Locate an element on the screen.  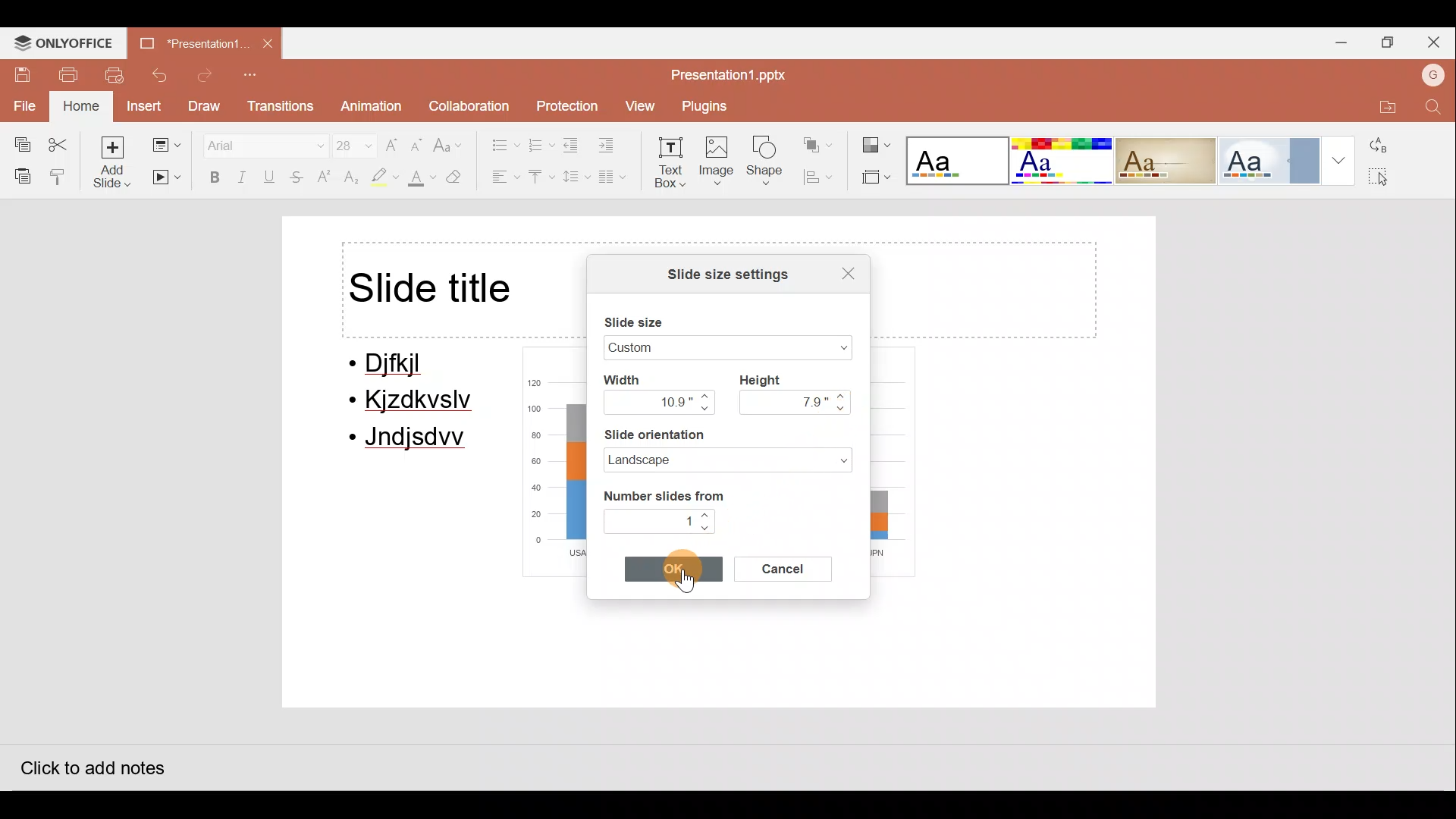
Widescreen is located at coordinates (679, 347).